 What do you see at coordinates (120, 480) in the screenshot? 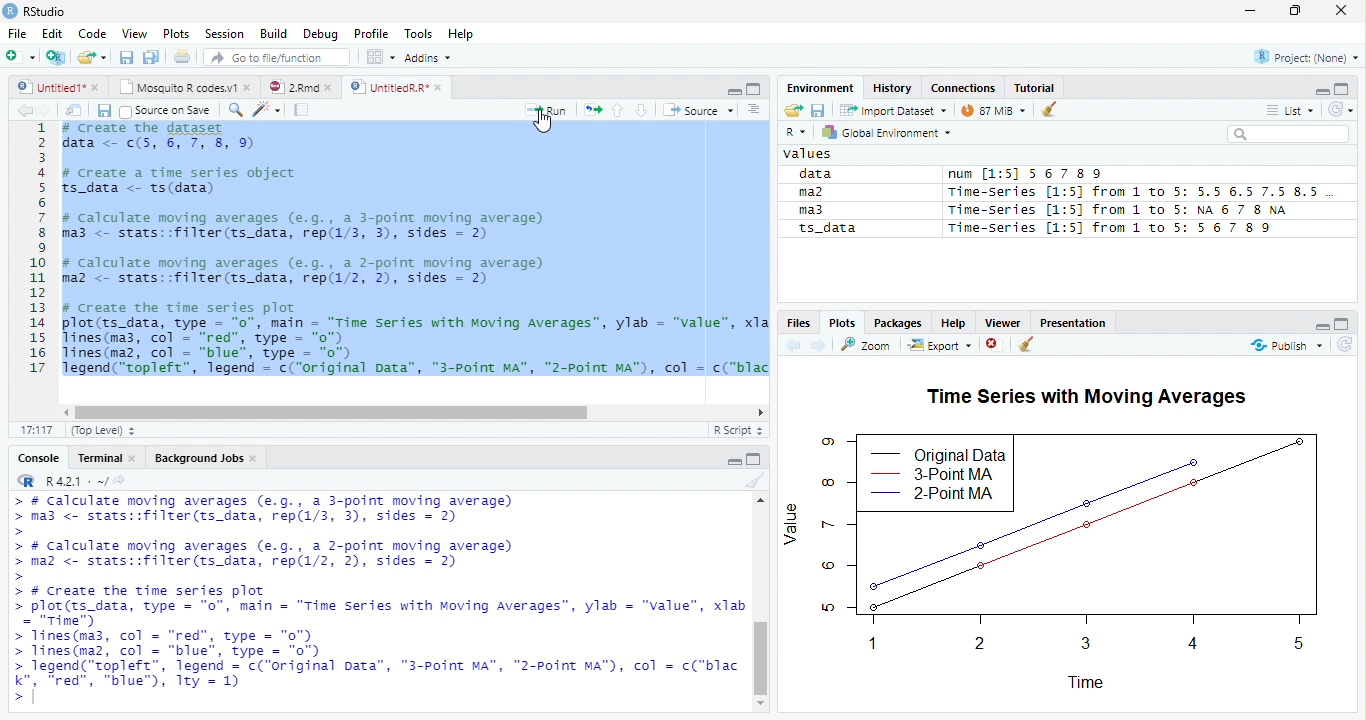
I see `view the current working directory` at bounding box center [120, 480].